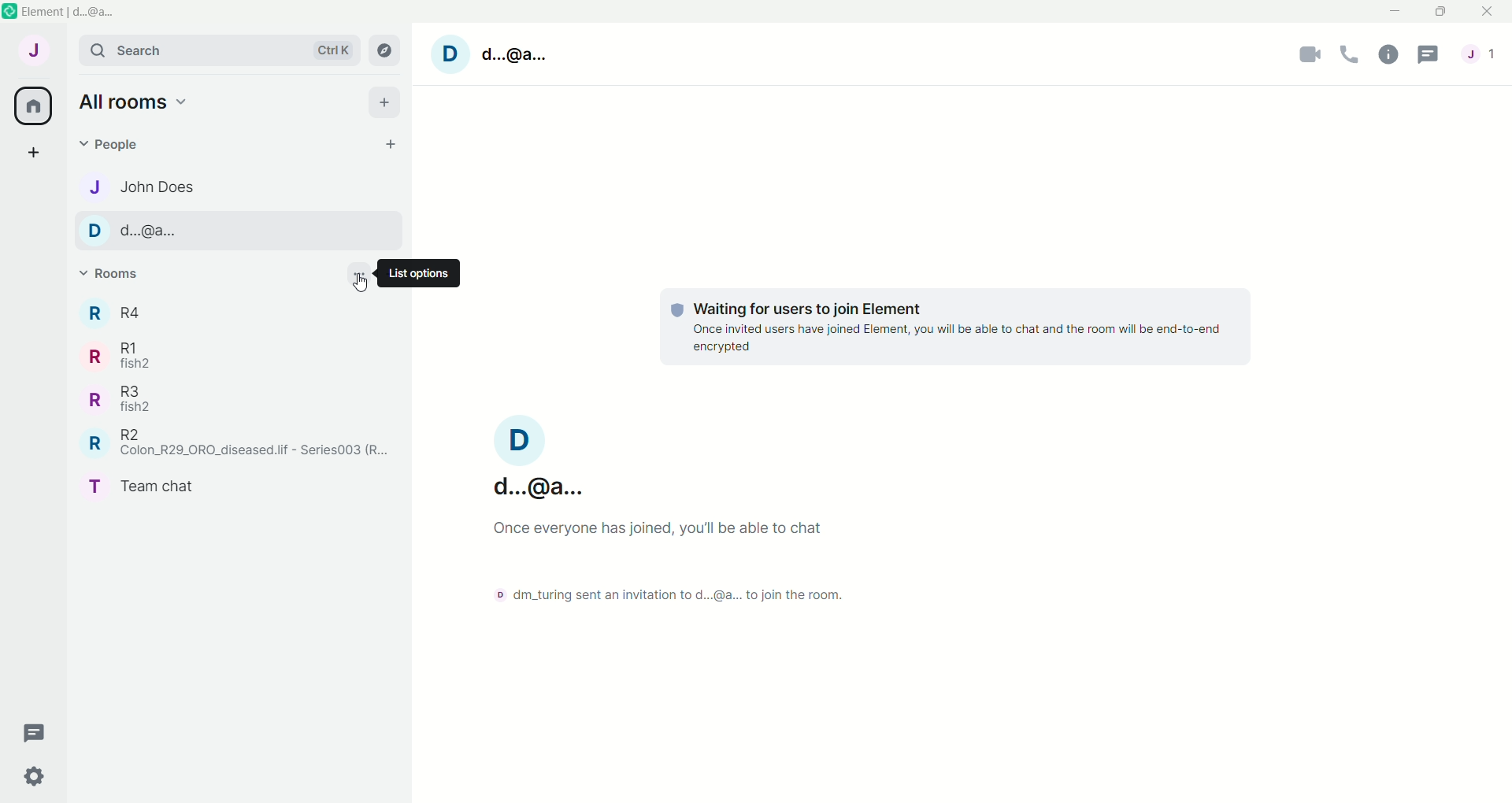 This screenshot has width=1512, height=803. Describe the element at coordinates (957, 328) in the screenshot. I see `Text` at that location.